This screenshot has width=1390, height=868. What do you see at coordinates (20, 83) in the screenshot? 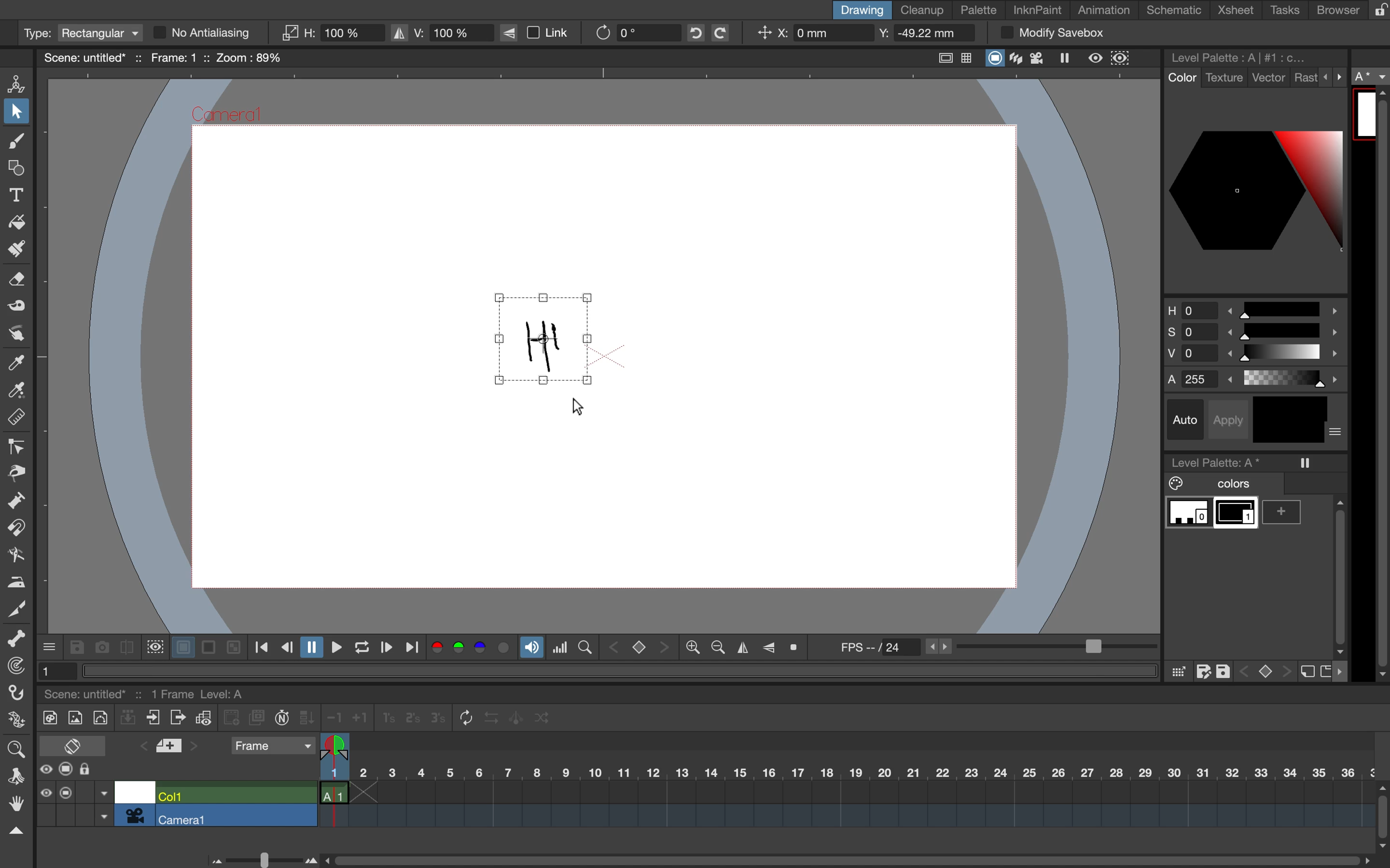
I see `animate tool` at bounding box center [20, 83].